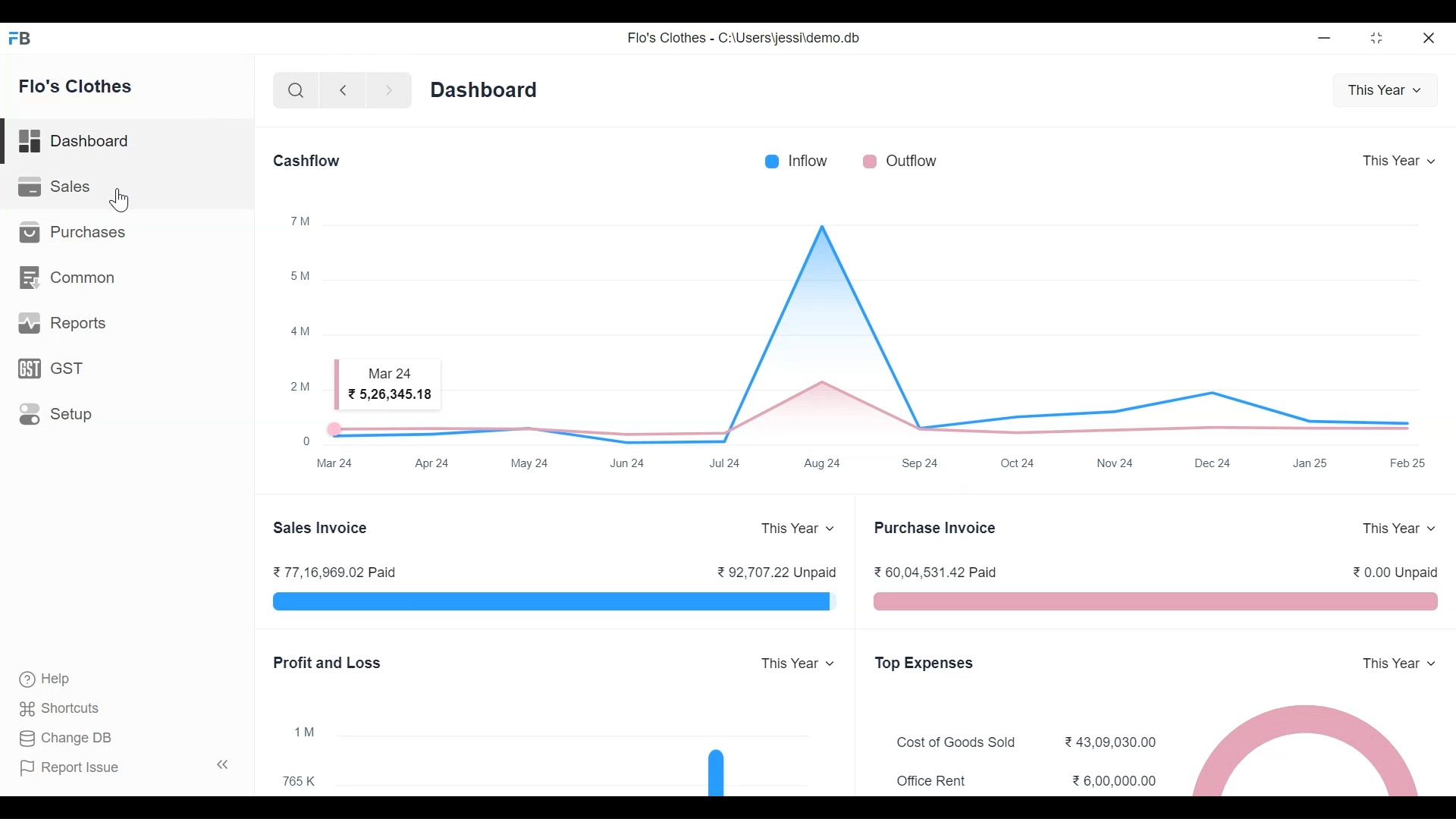 This screenshot has width=1456, height=819. What do you see at coordinates (1312, 749) in the screenshot?
I see `Top Expenses visual Representation of Flo's Clothes yearly` at bounding box center [1312, 749].